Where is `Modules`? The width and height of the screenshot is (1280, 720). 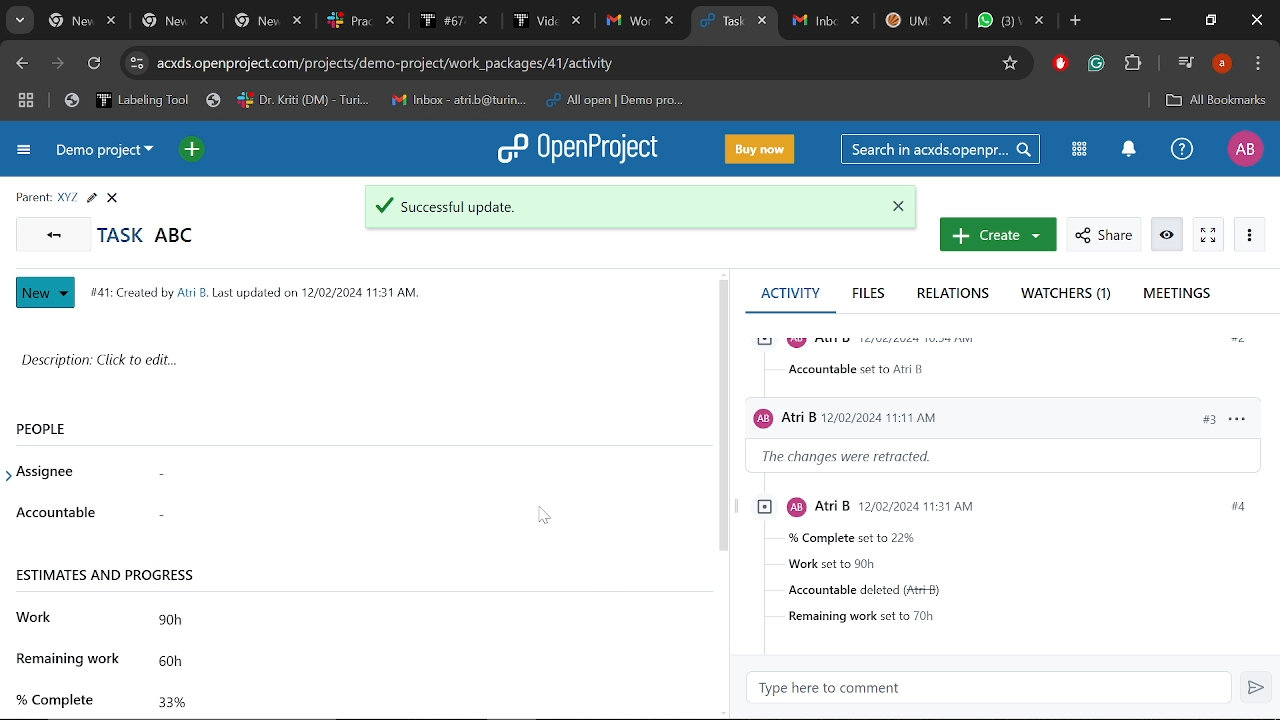 Modules is located at coordinates (1079, 149).